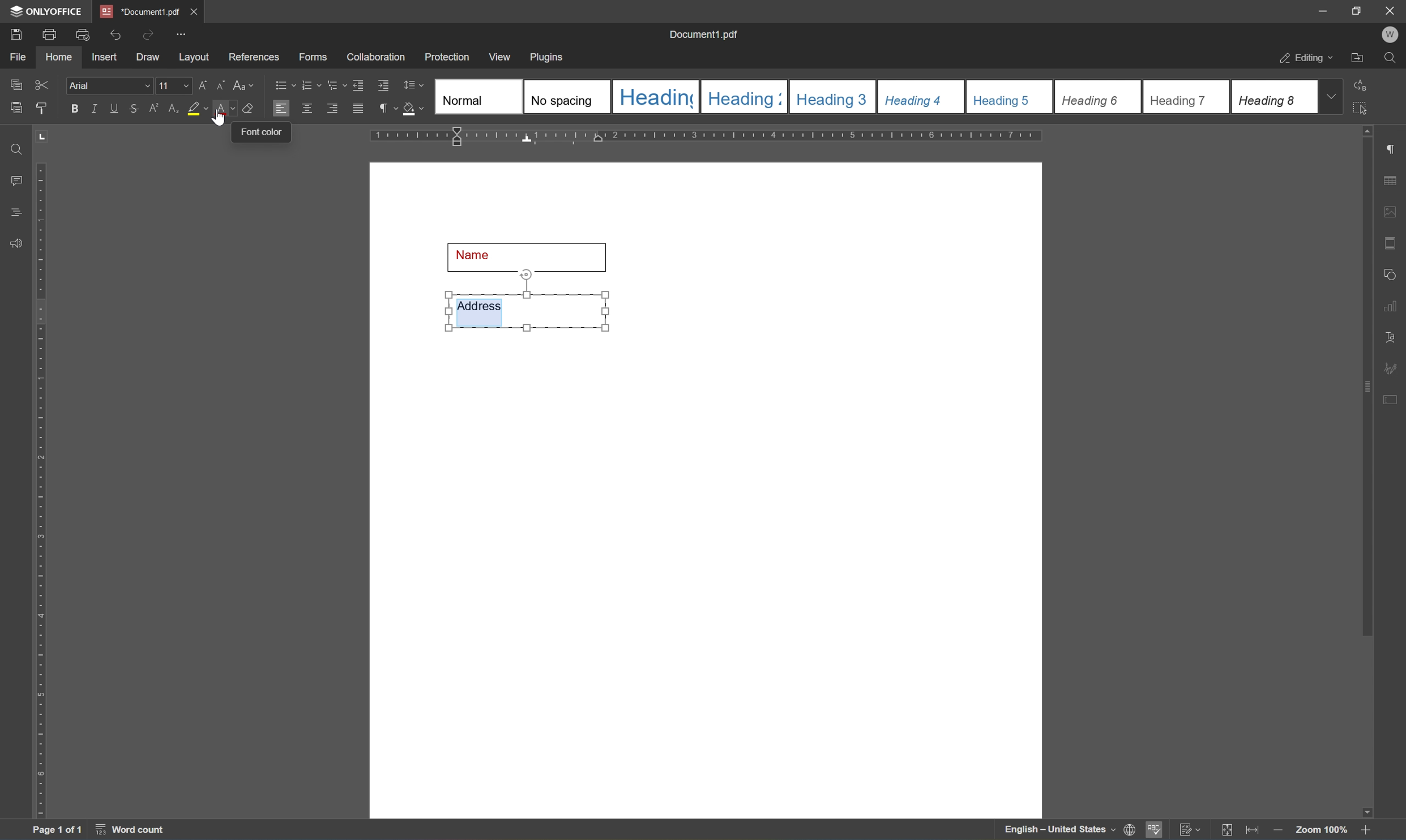  I want to click on layout, so click(193, 59).